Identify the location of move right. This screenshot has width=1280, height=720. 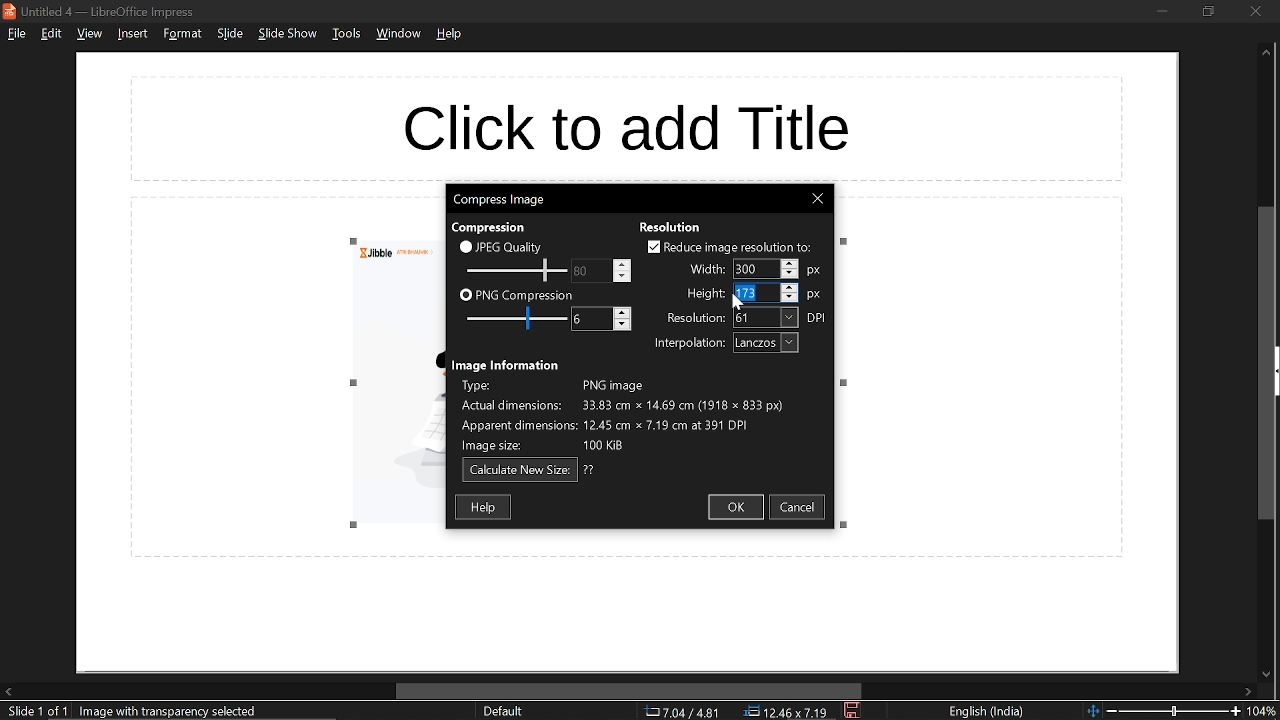
(1249, 691).